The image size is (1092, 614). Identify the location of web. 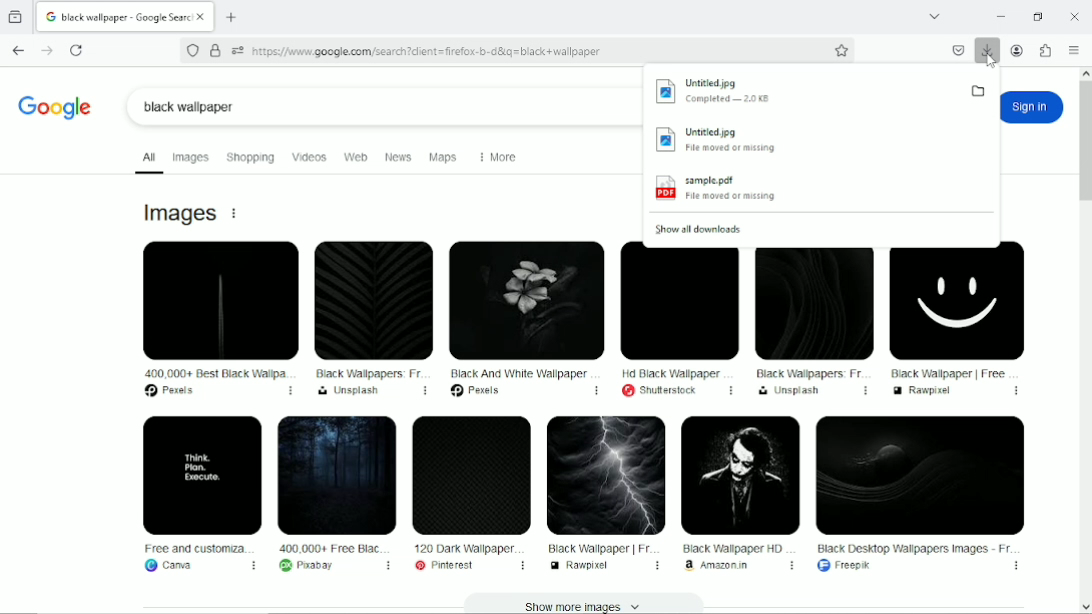
(355, 156).